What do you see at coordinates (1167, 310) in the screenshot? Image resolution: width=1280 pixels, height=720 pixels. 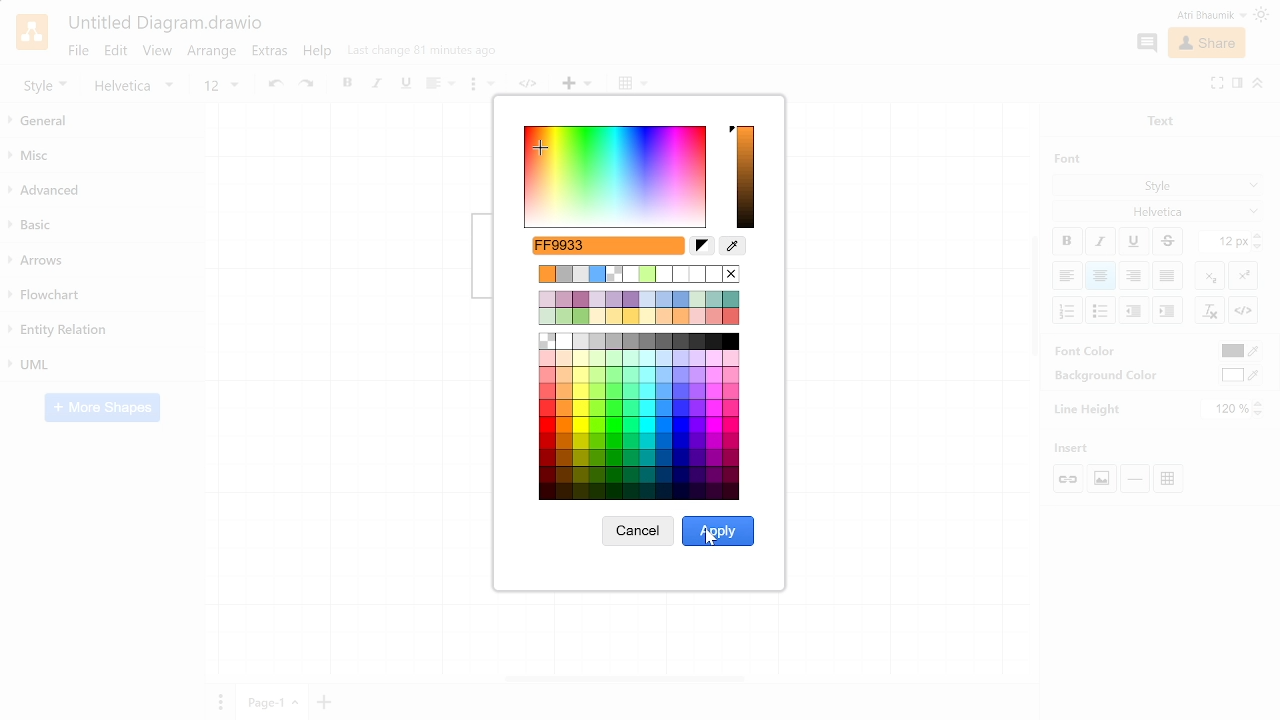 I see `Decrease indent` at bounding box center [1167, 310].